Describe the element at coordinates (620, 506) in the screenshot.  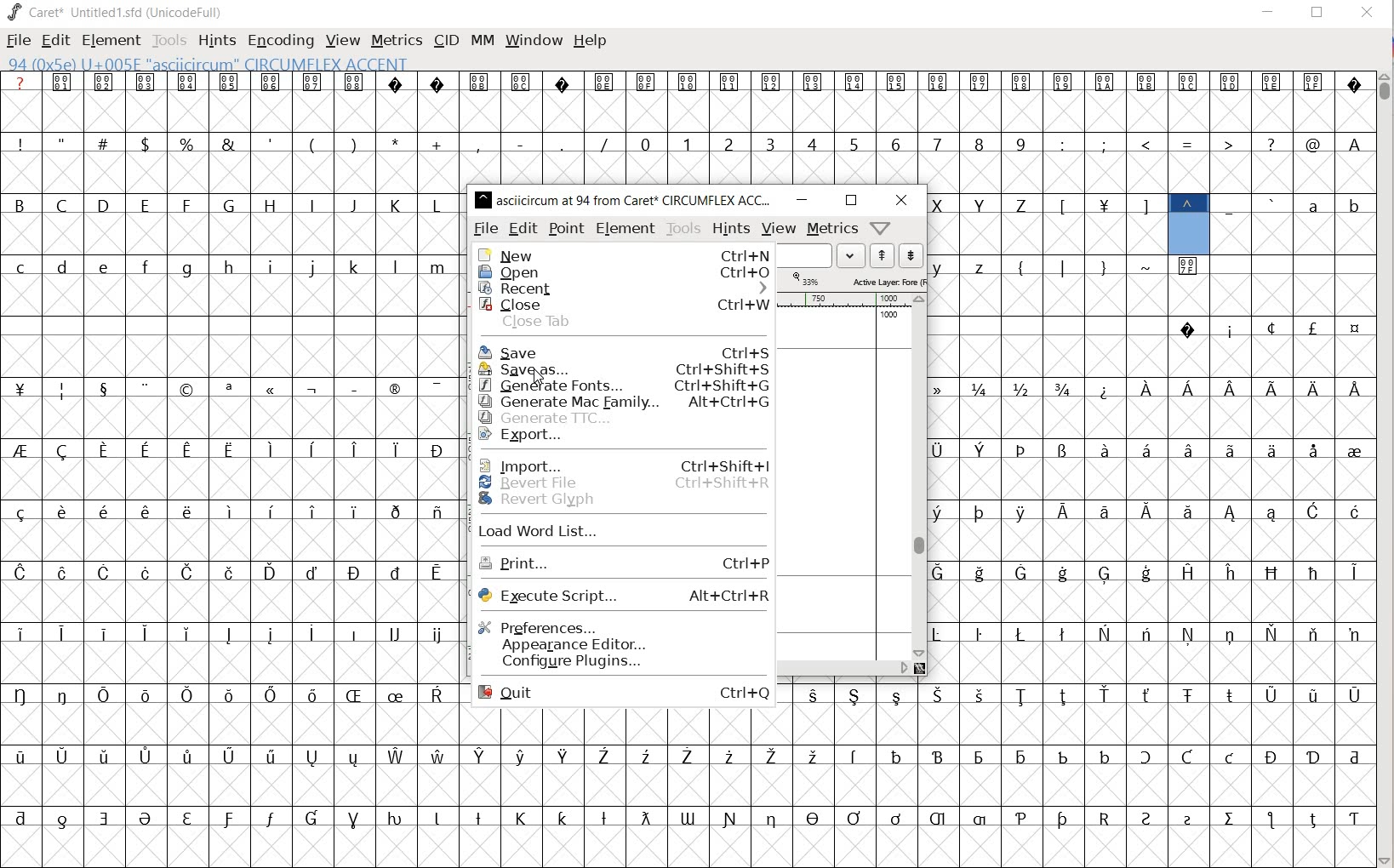
I see `Revert Glyph` at that location.